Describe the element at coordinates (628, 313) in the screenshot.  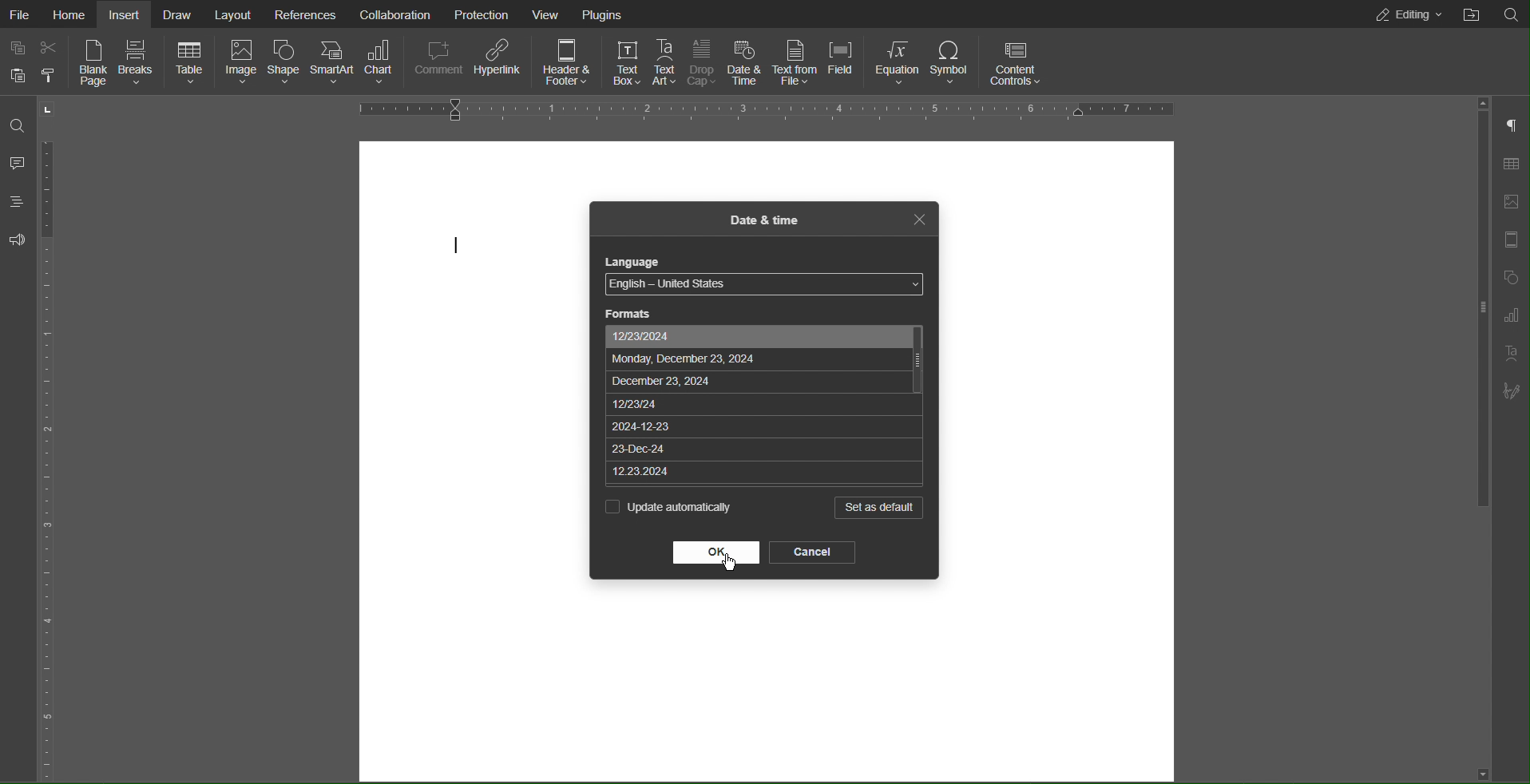
I see `Formats` at that location.